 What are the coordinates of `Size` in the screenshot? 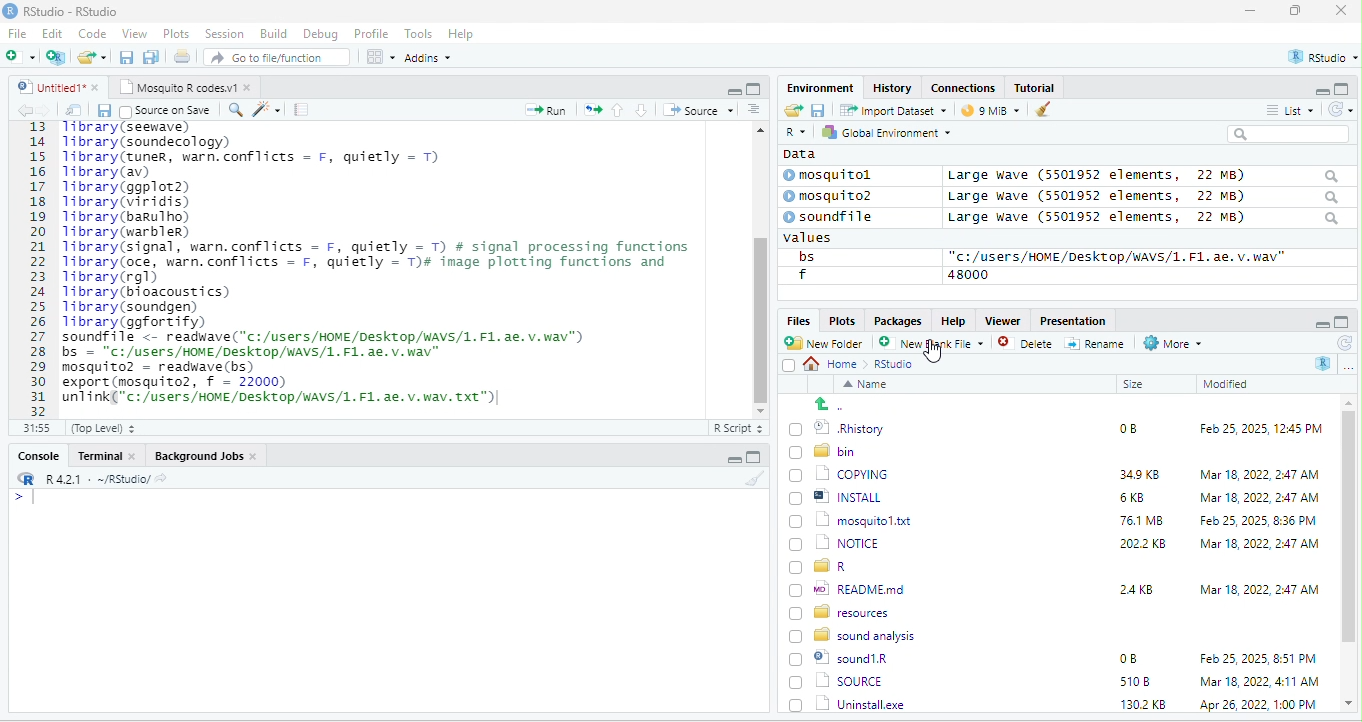 It's located at (1134, 385).